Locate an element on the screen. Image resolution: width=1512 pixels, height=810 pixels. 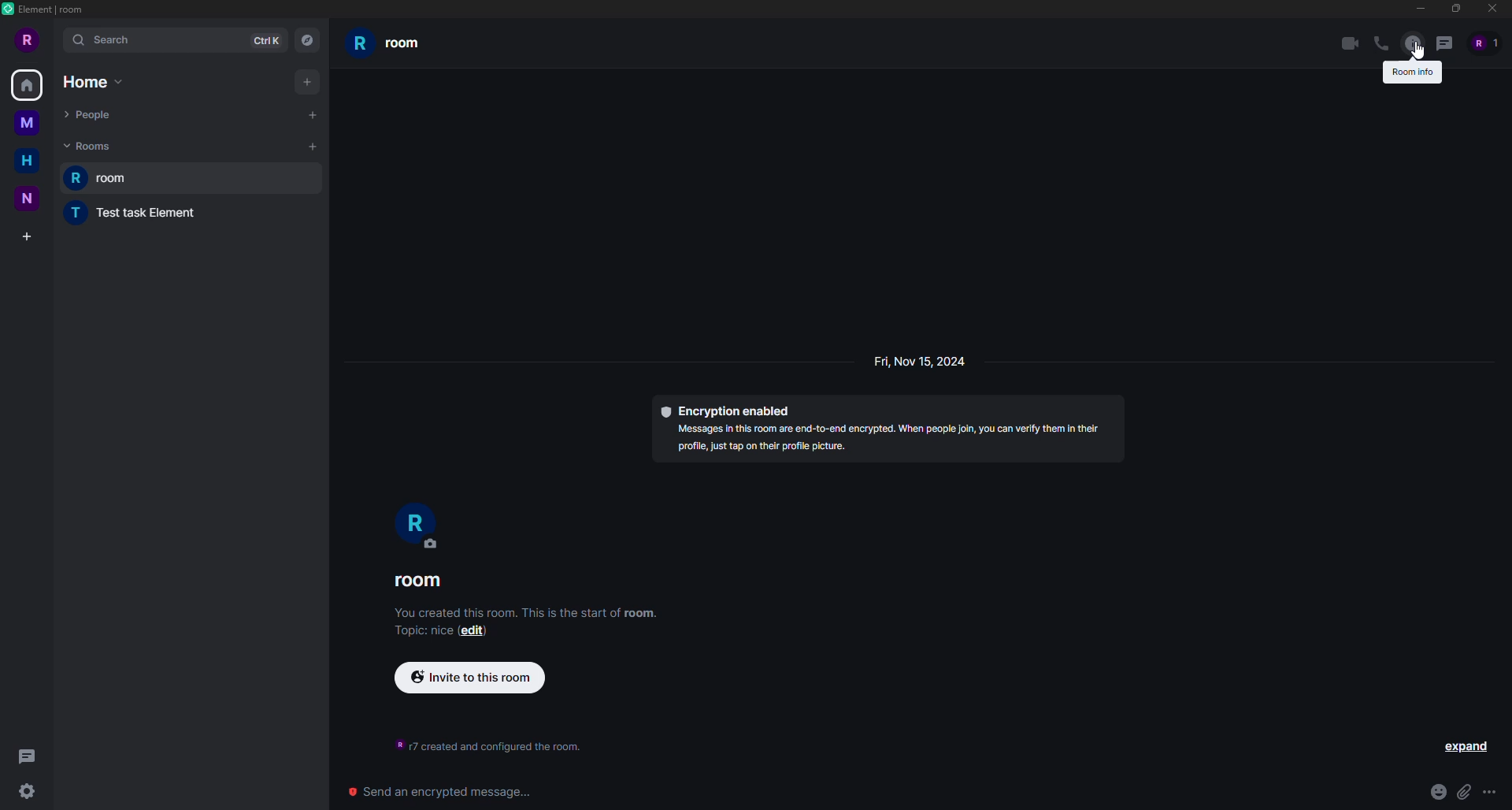
All rooms is located at coordinates (27, 86).